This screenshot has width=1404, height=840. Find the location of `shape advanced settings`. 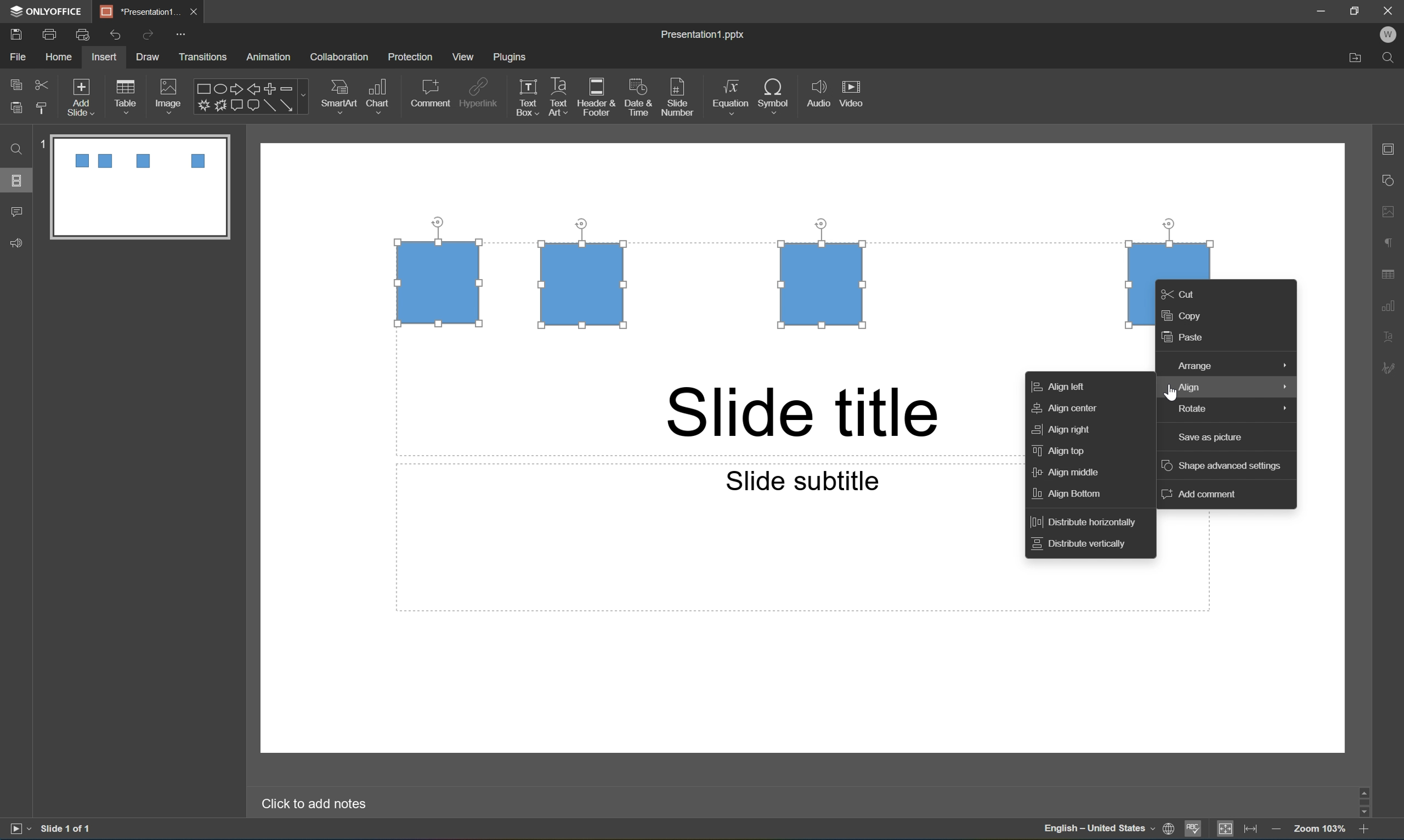

shape advanced settings is located at coordinates (1224, 466).